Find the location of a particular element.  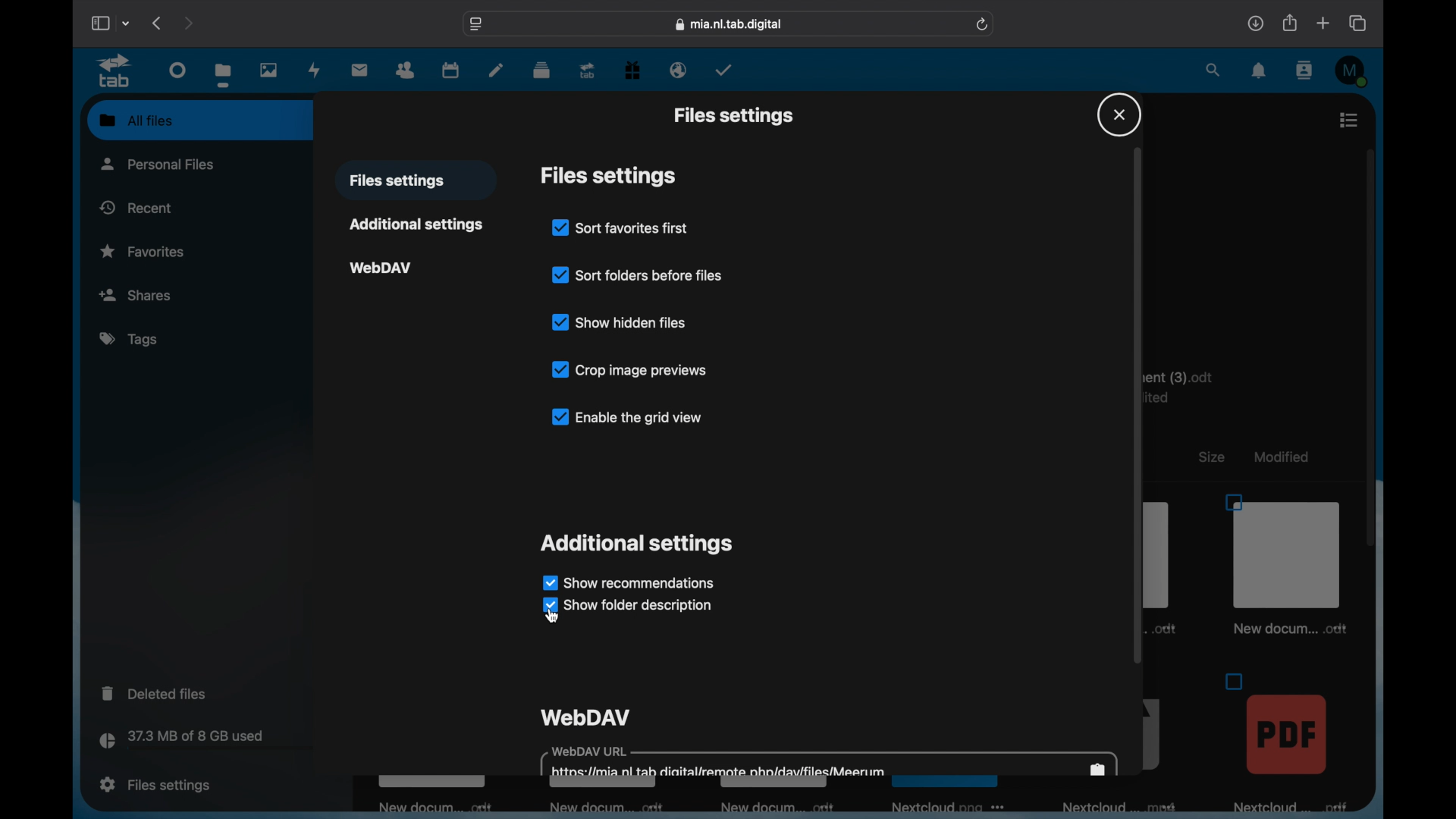

webdav is located at coordinates (829, 761).